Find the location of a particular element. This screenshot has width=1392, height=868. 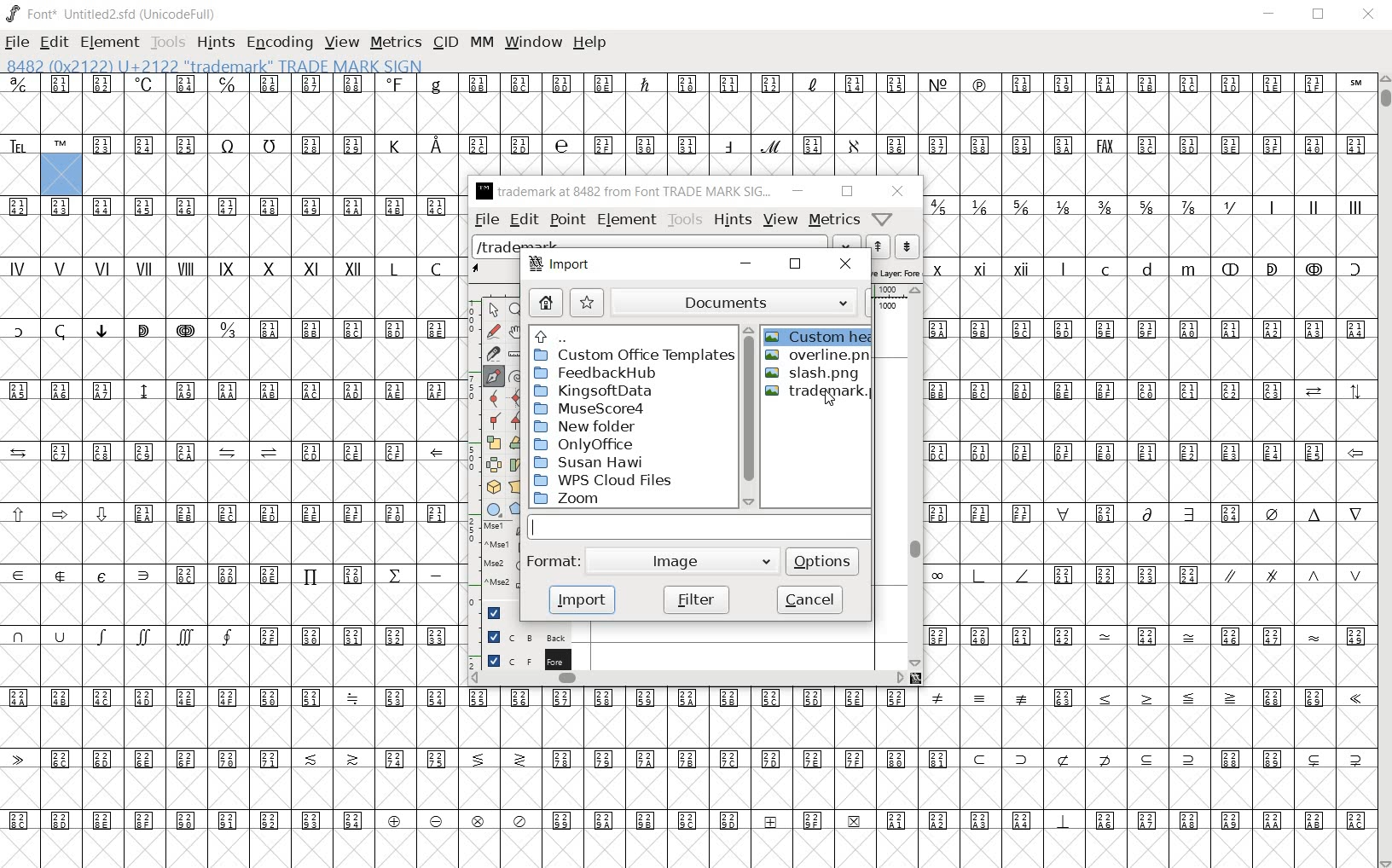

star is located at coordinates (586, 304).